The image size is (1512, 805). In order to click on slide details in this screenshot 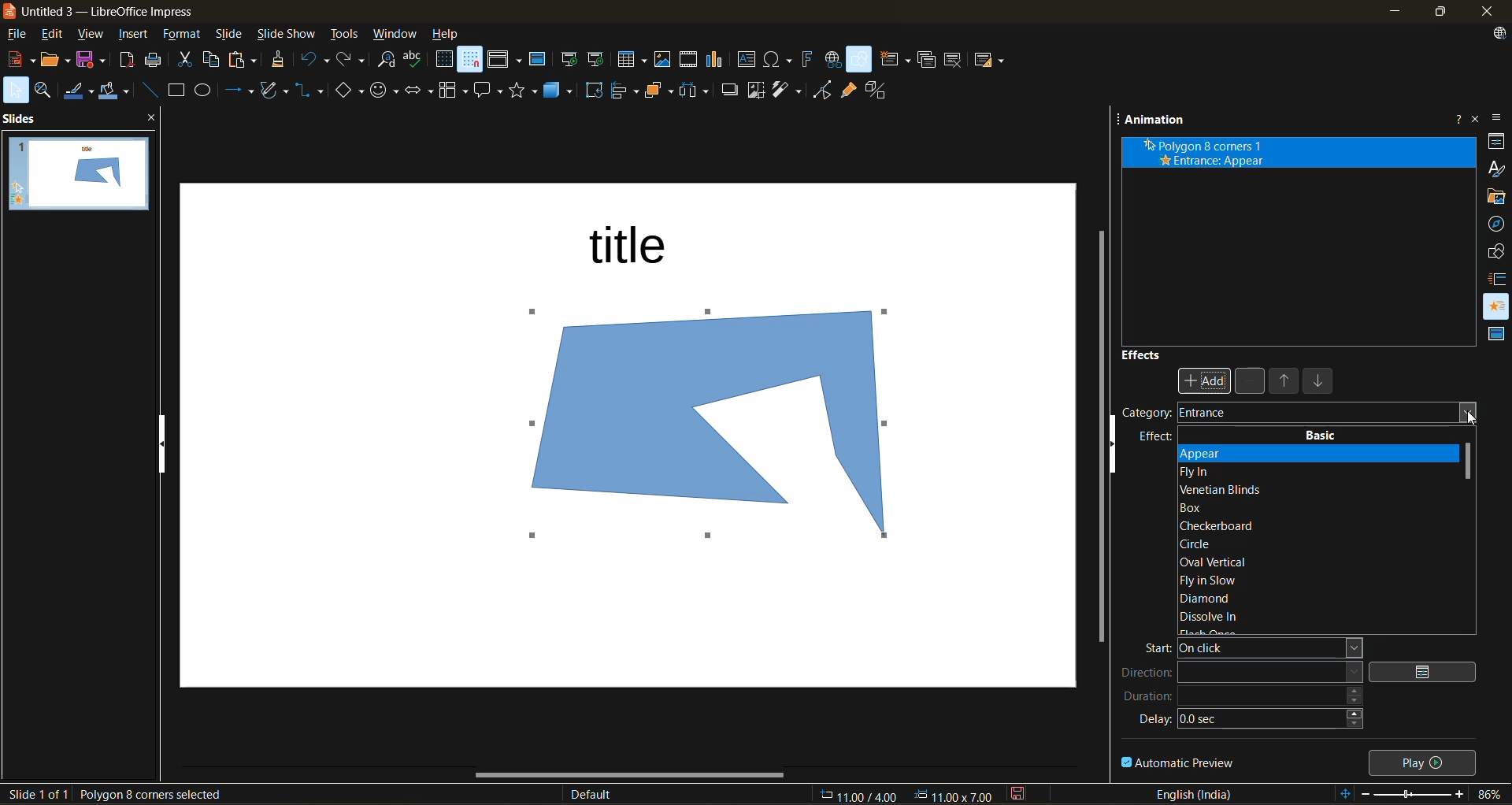, I will do `click(37, 795)`.